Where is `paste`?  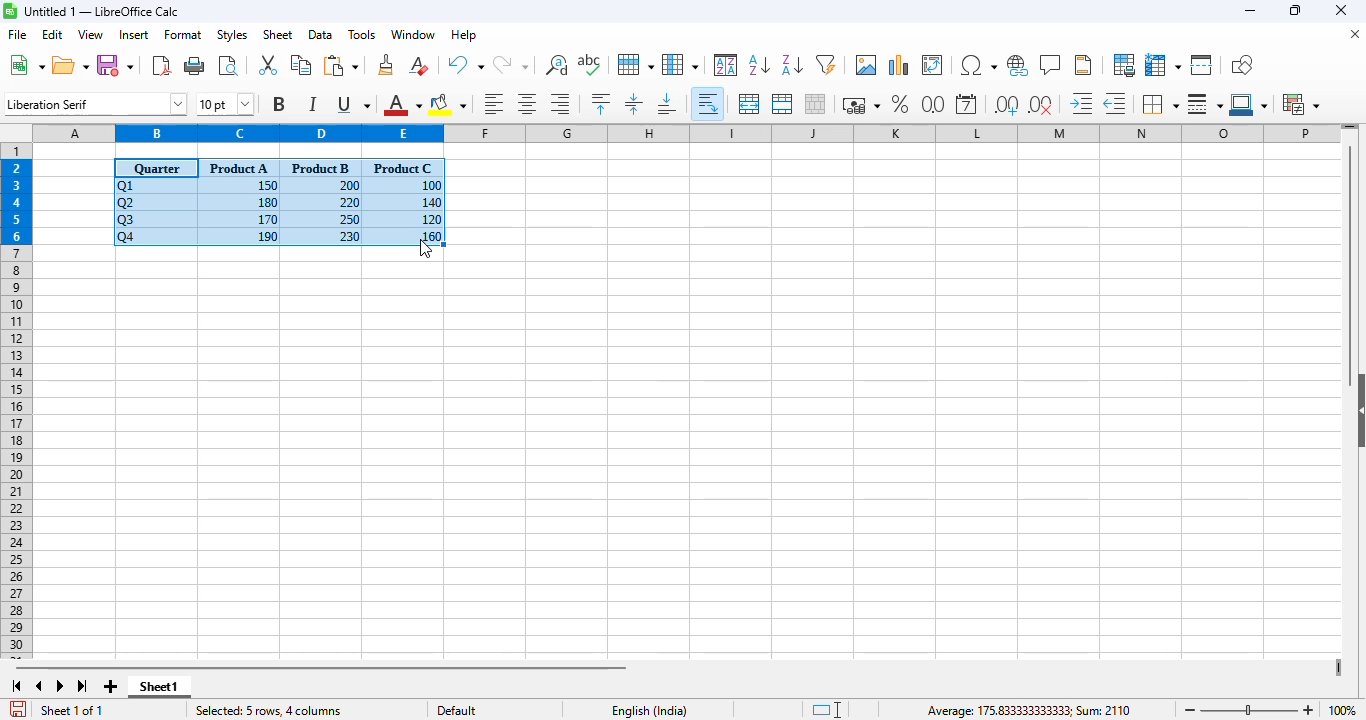 paste is located at coordinates (342, 65).